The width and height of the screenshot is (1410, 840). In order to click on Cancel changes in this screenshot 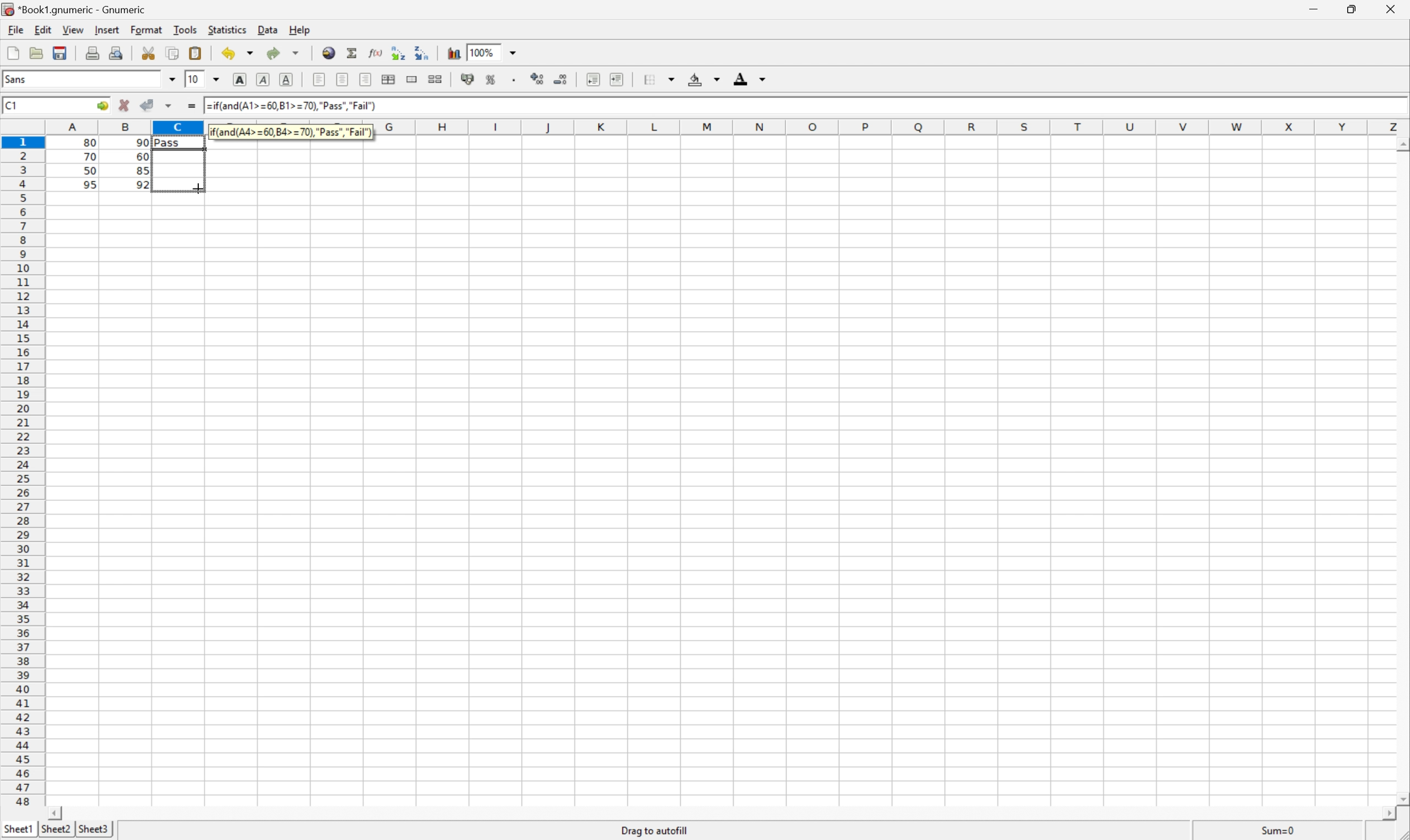, I will do `click(125, 106)`.